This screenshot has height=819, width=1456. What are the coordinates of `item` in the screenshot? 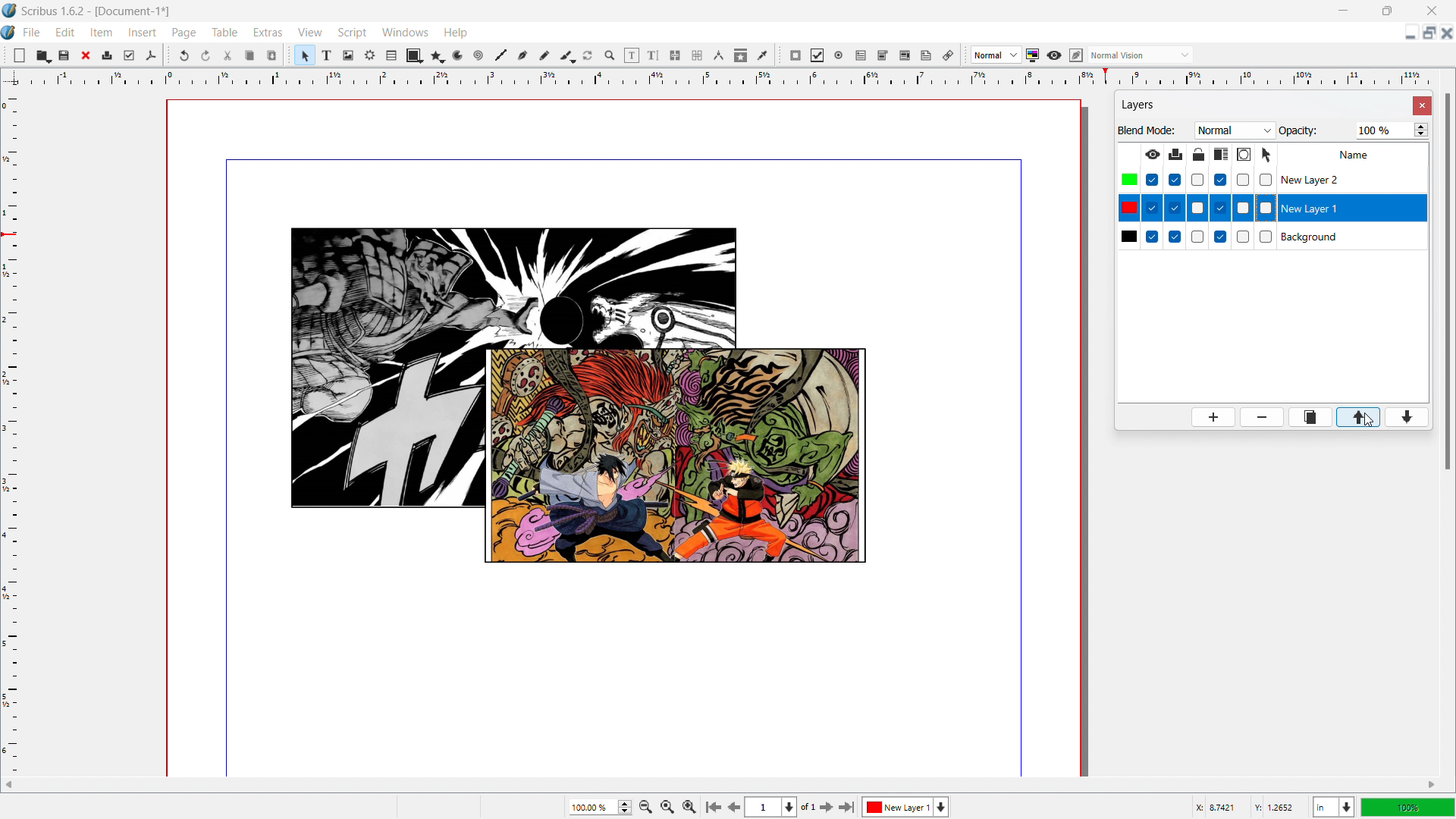 It's located at (102, 33).